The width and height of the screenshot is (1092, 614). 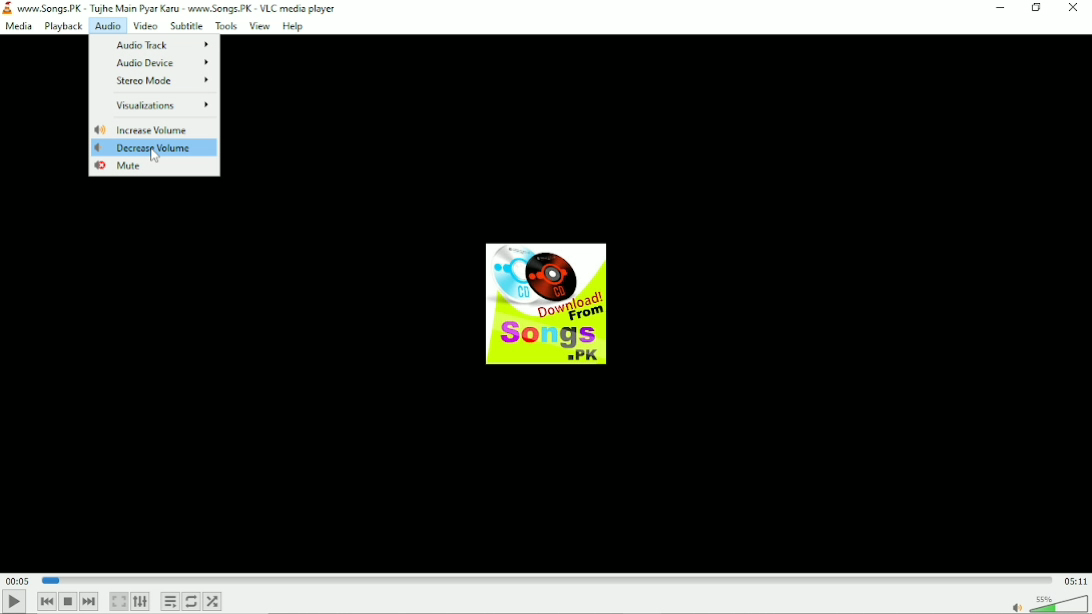 What do you see at coordinates (161, 62) in the screenshot?
I see `Audio device` at bounding box center [161, 62].